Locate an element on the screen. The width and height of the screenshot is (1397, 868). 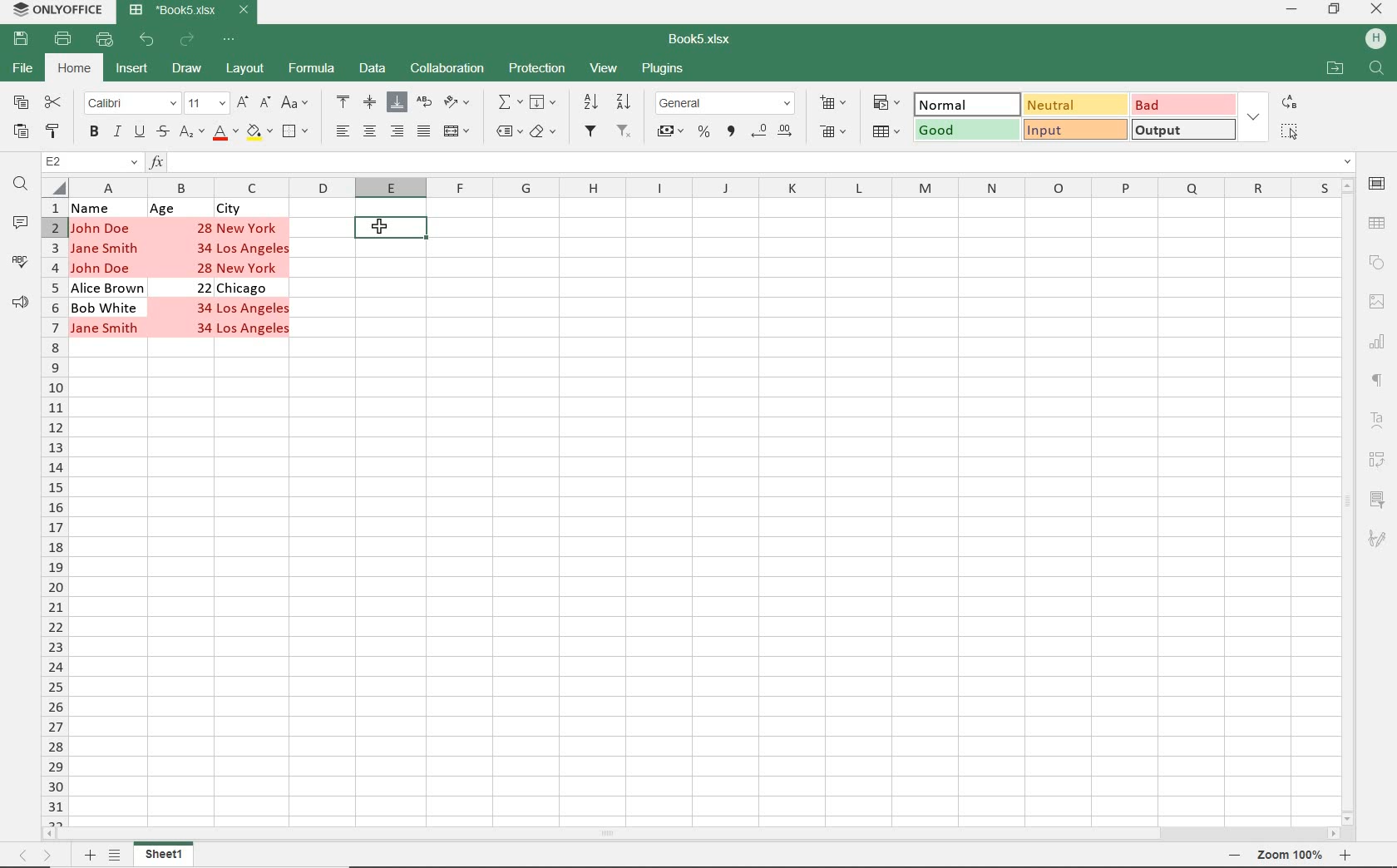
DECREMENT FONT SIZE is located at coordinates (265, 103).